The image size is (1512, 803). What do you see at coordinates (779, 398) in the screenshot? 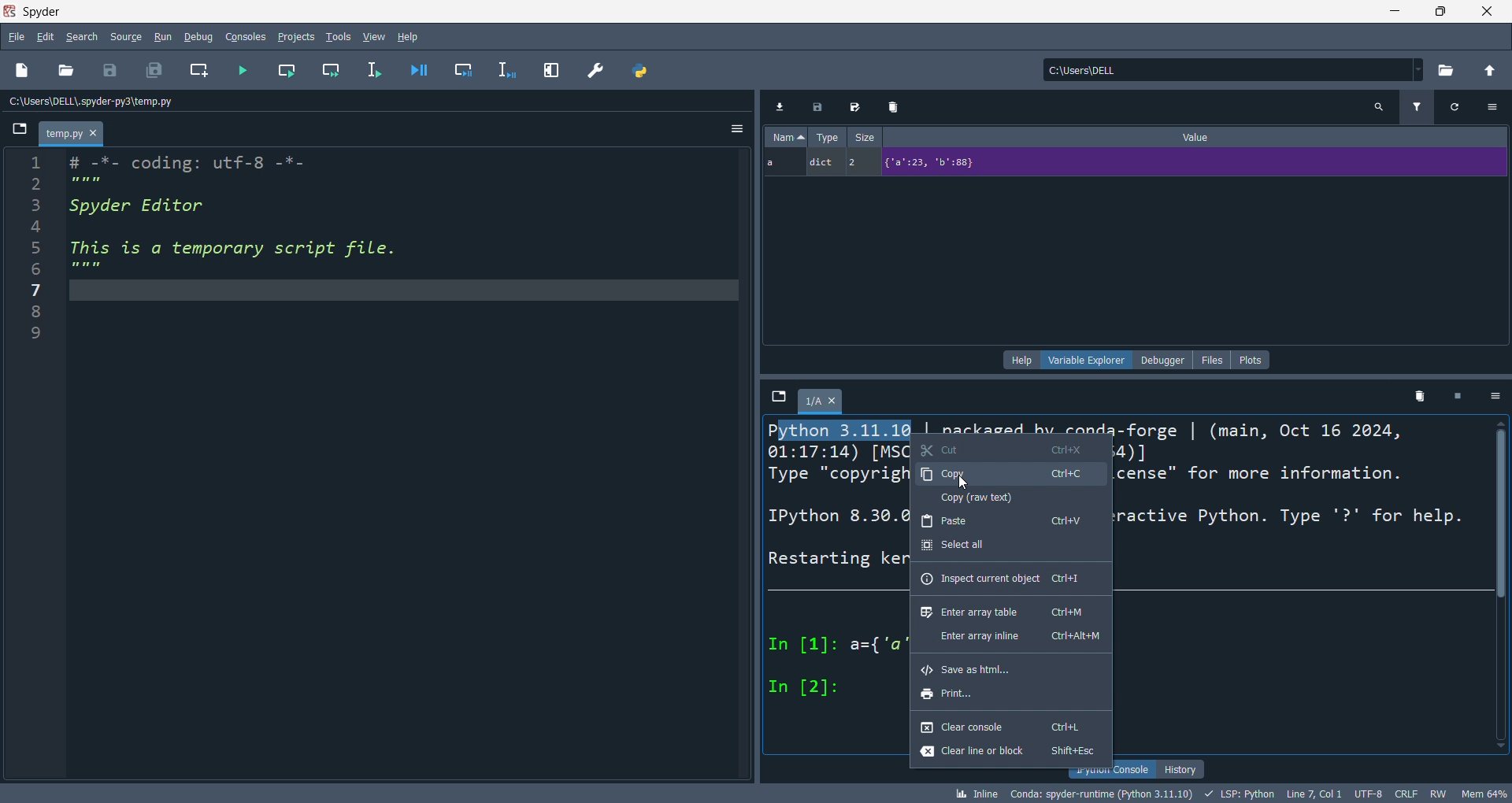
I see `explore tabs` at bounding box center [779, 398].